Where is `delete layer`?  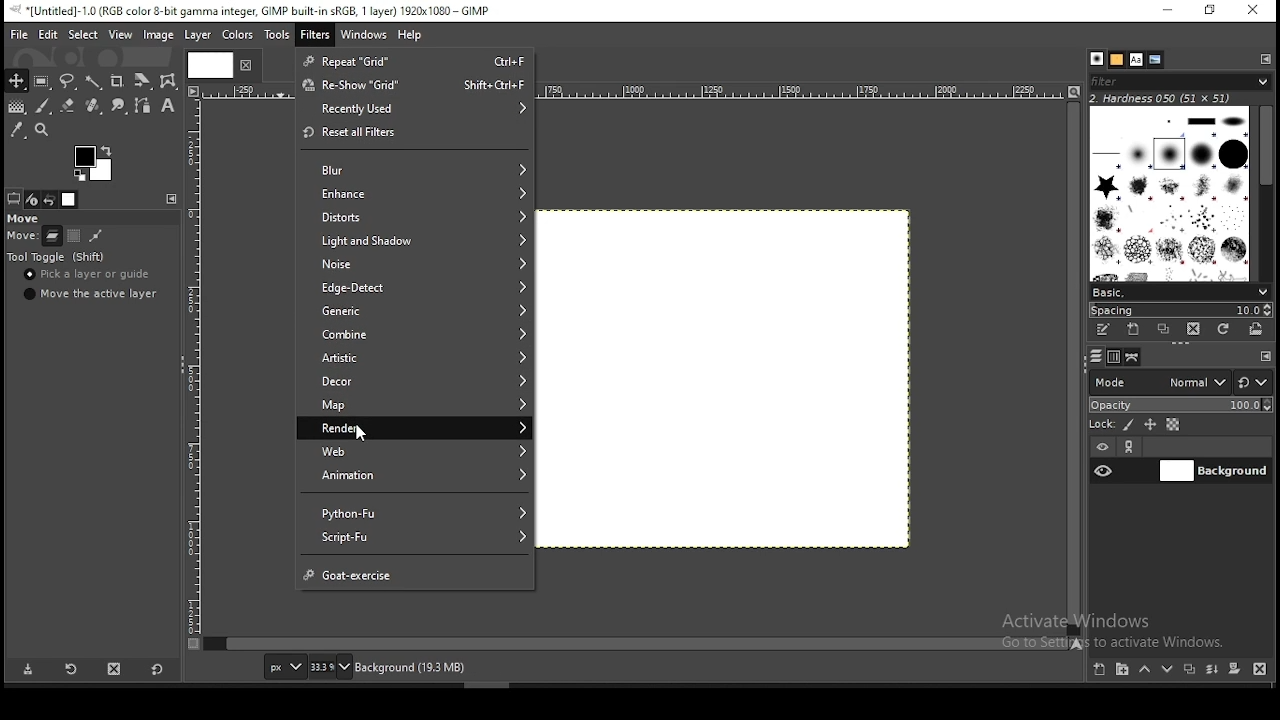 delete layer is located at coordinates (1258, 670).